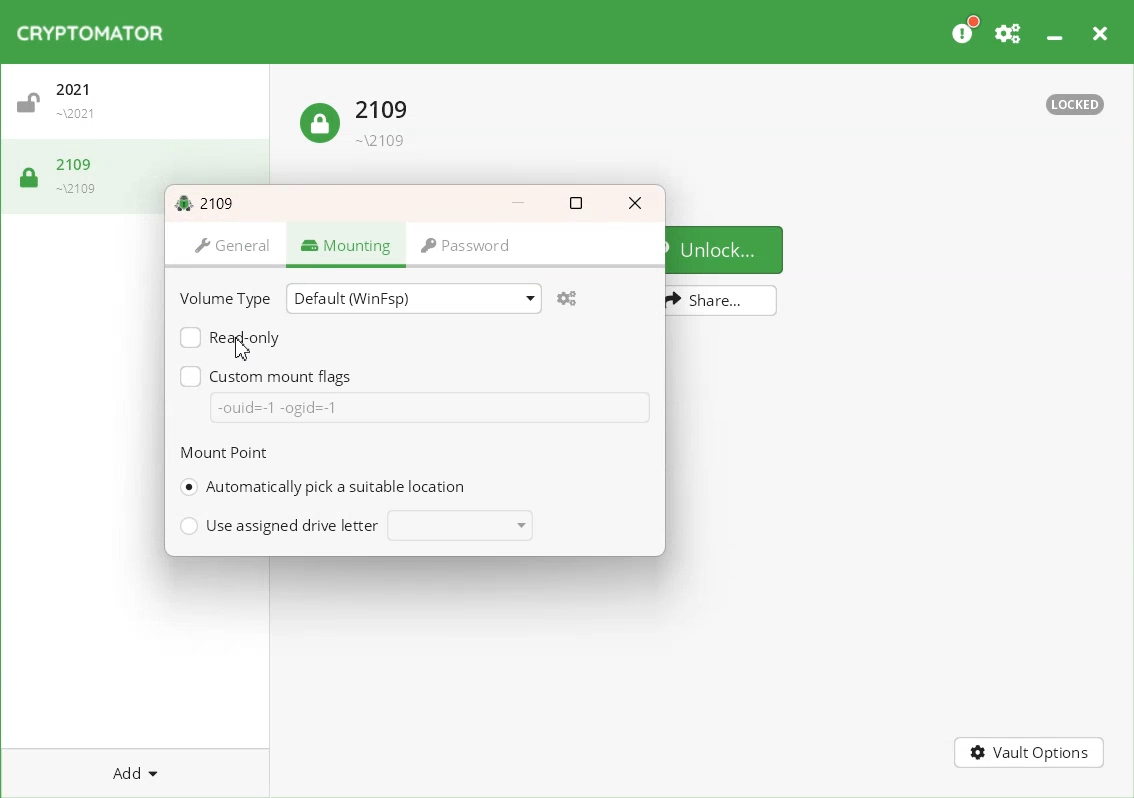 The image size is (1134, 798). Describe the element at coordinates (722, 301) in the screenshot. I see `Share` at that location.